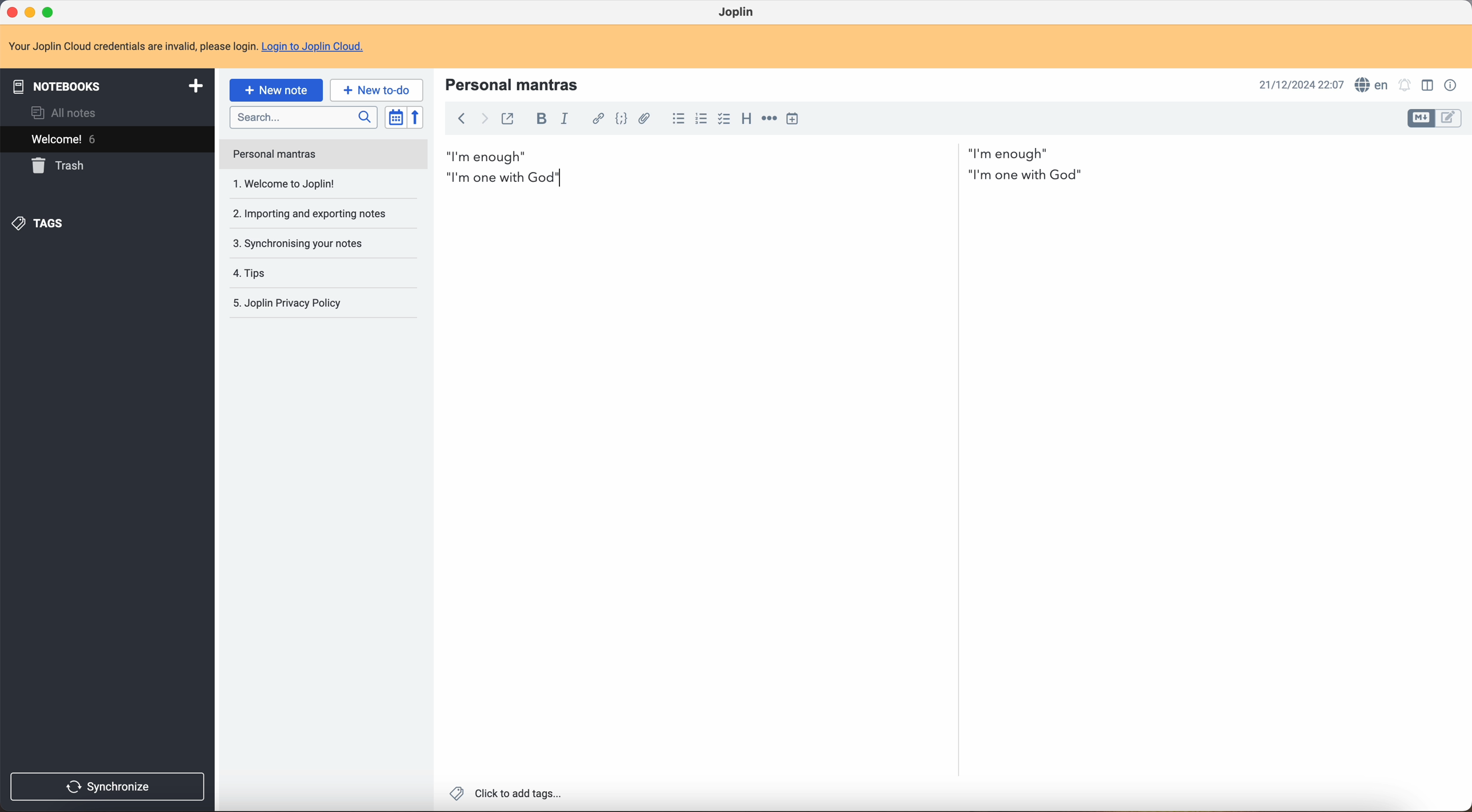 The height and width of the screenshot is (812, 1472). What do you see at coordinates (11, 13) in the screenshot?
I see `close program` at bounding box center [11, 13].